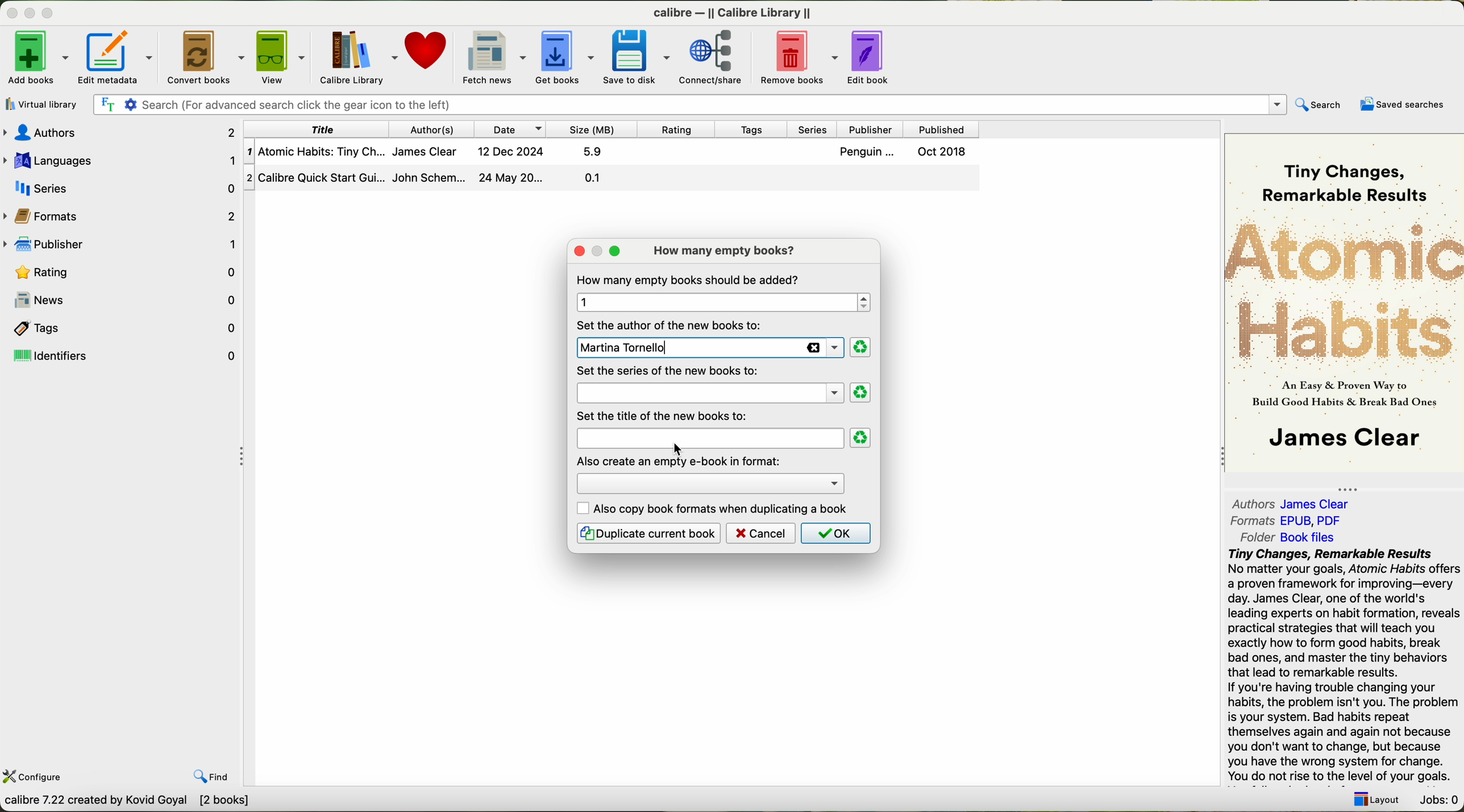  What do you see at coordinates (666, 415) in the screenshot?
I see `set the title of the new book` at bounding box center [666, 415].